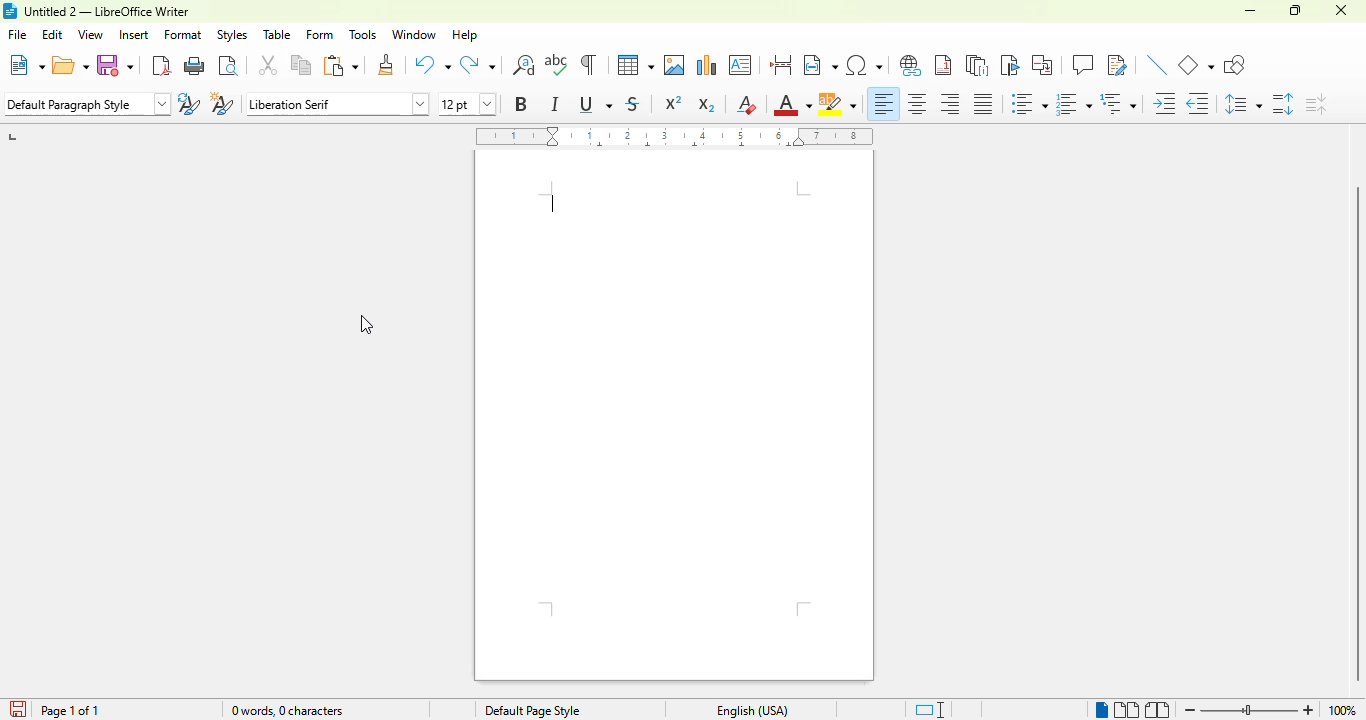 This screenshot has height=720, width=1366. What do you see at coordinates (342, 65) in the screenshot?
I see `paste` at bounding box center [342, 65].